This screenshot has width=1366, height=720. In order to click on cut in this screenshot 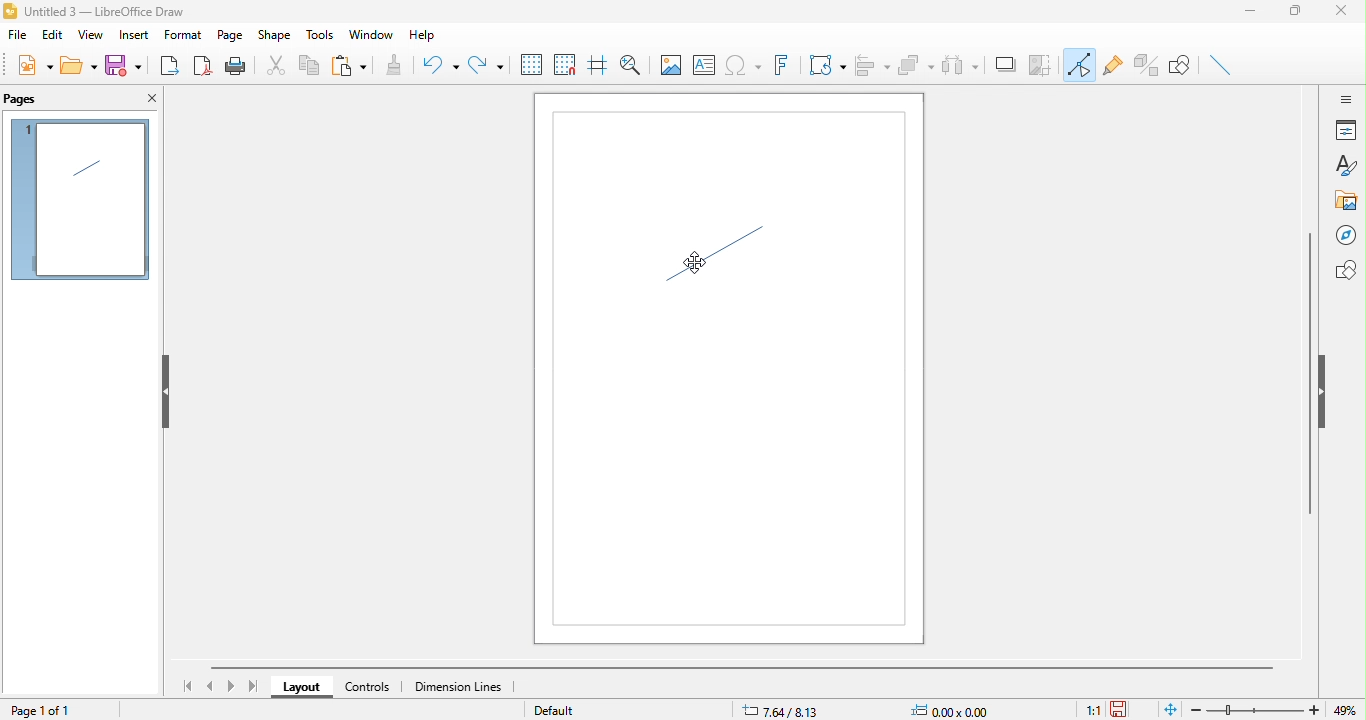, I will do `click(276, 66)`.